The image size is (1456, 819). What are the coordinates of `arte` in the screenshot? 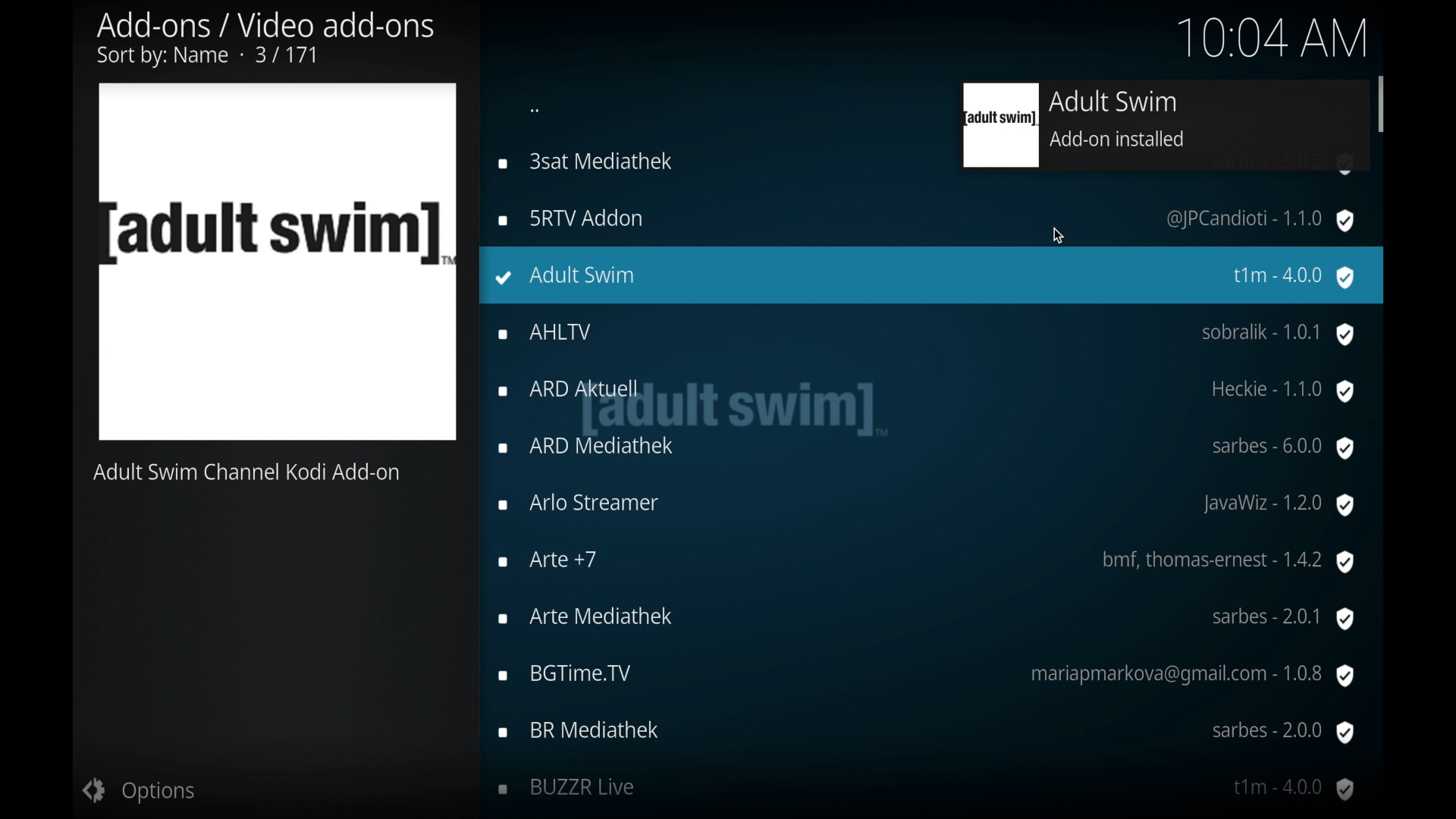 It's located at (925, 561).